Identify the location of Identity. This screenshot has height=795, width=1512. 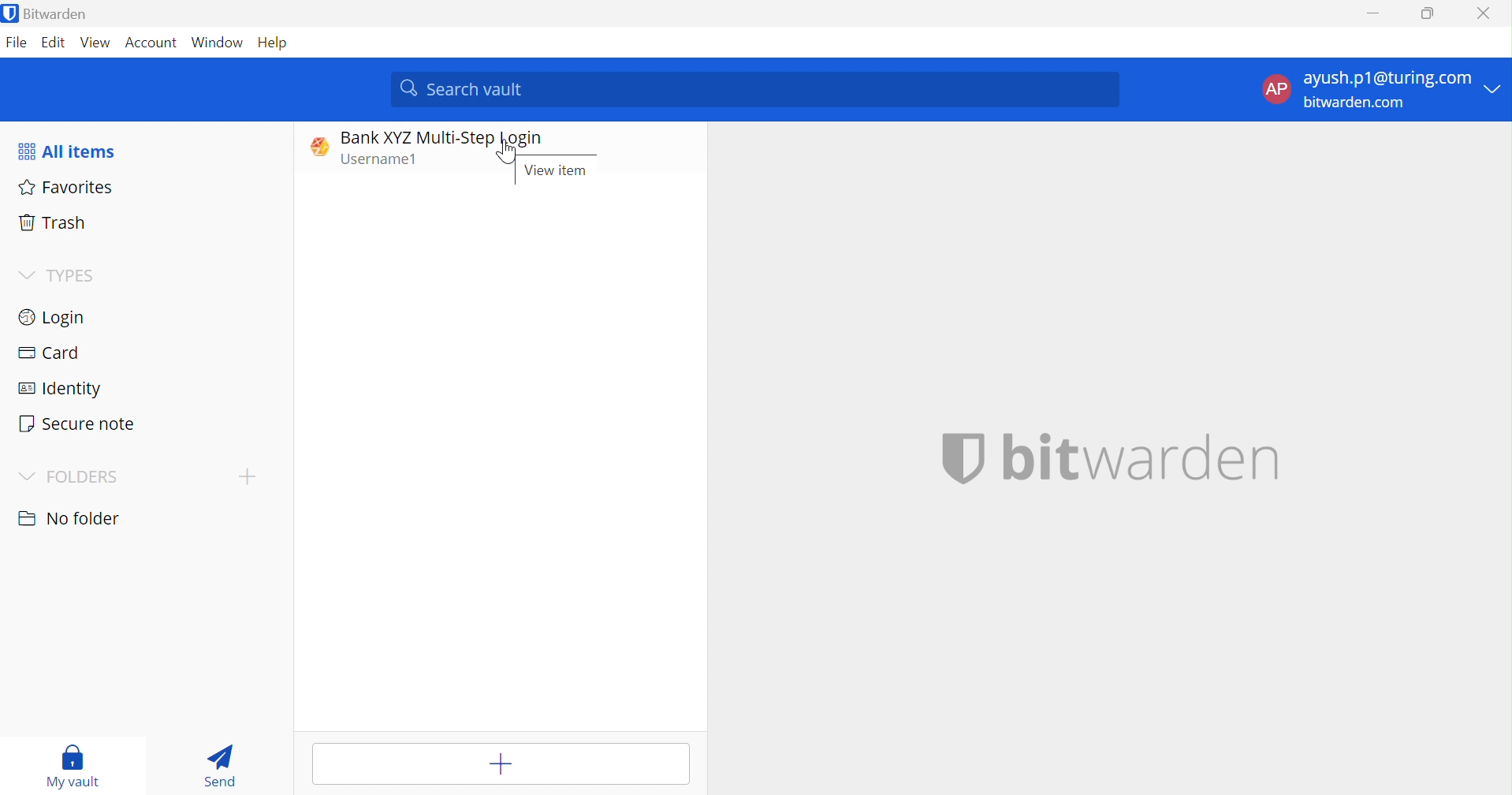
(61, 390).